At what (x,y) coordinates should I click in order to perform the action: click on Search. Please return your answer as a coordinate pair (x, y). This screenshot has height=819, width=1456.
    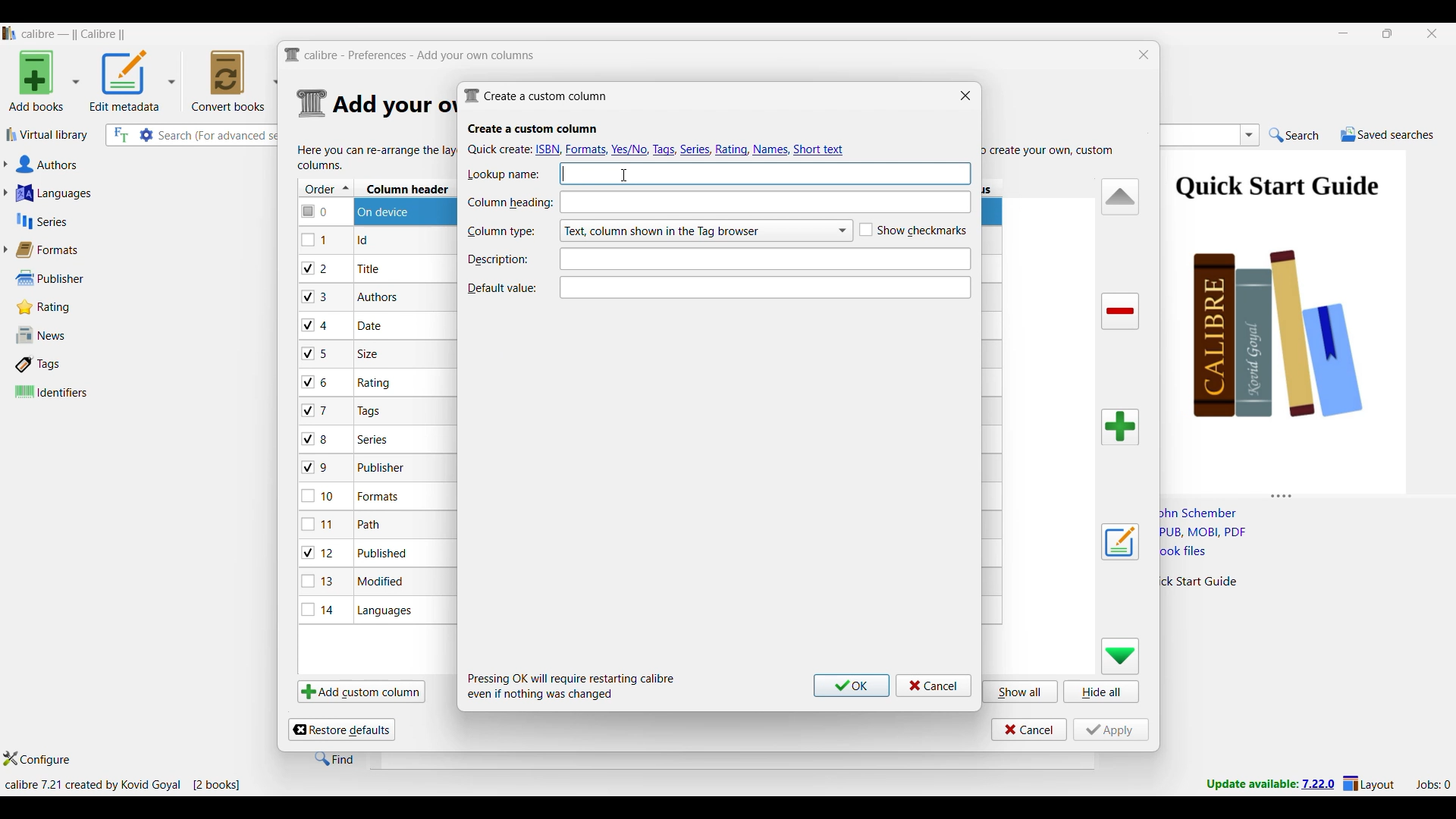
    Looking at the image, I should click on (1294, 136).